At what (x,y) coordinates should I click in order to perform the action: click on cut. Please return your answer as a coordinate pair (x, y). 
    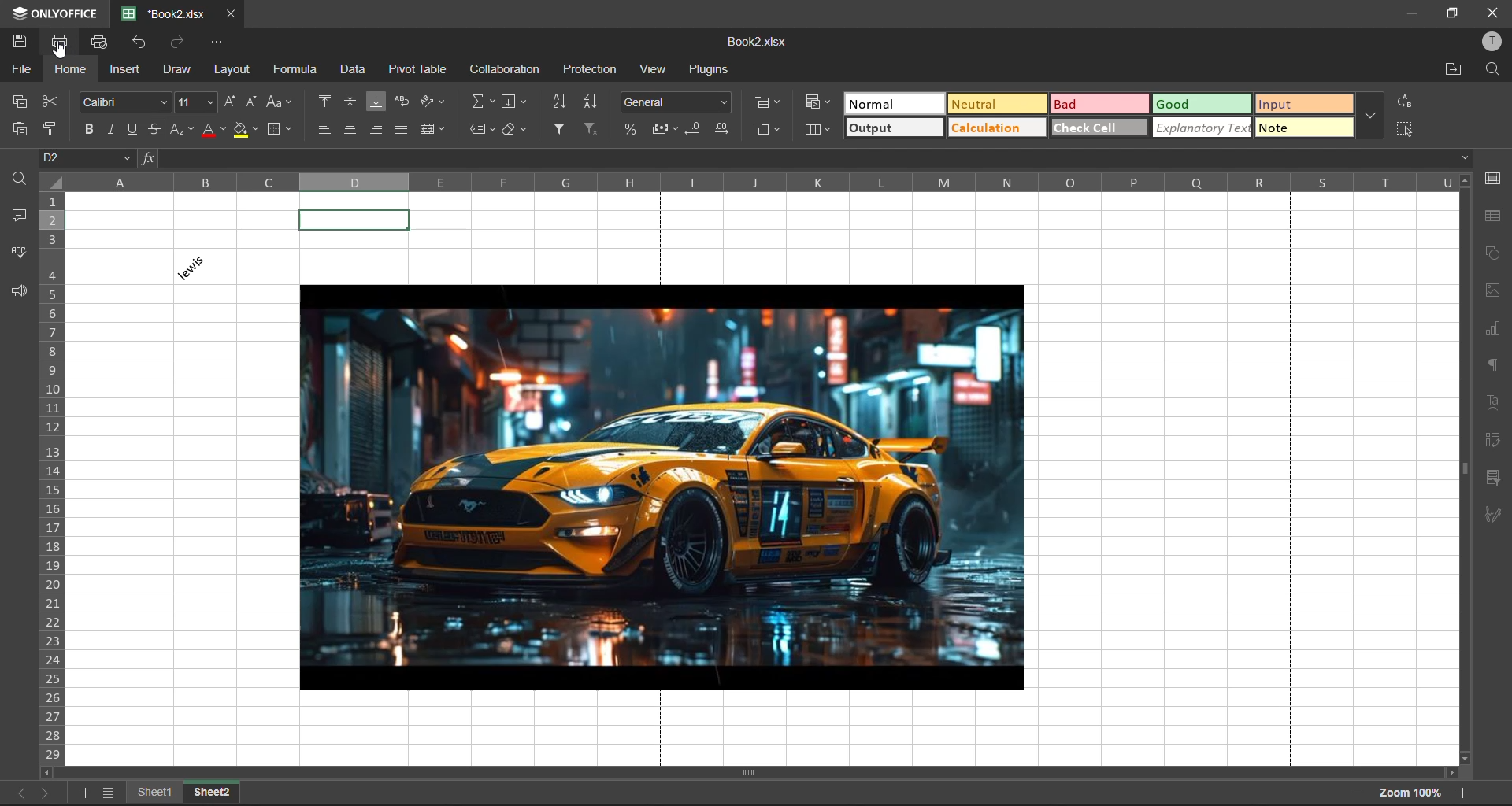
    Looking at the image, I should click on (49, 103).